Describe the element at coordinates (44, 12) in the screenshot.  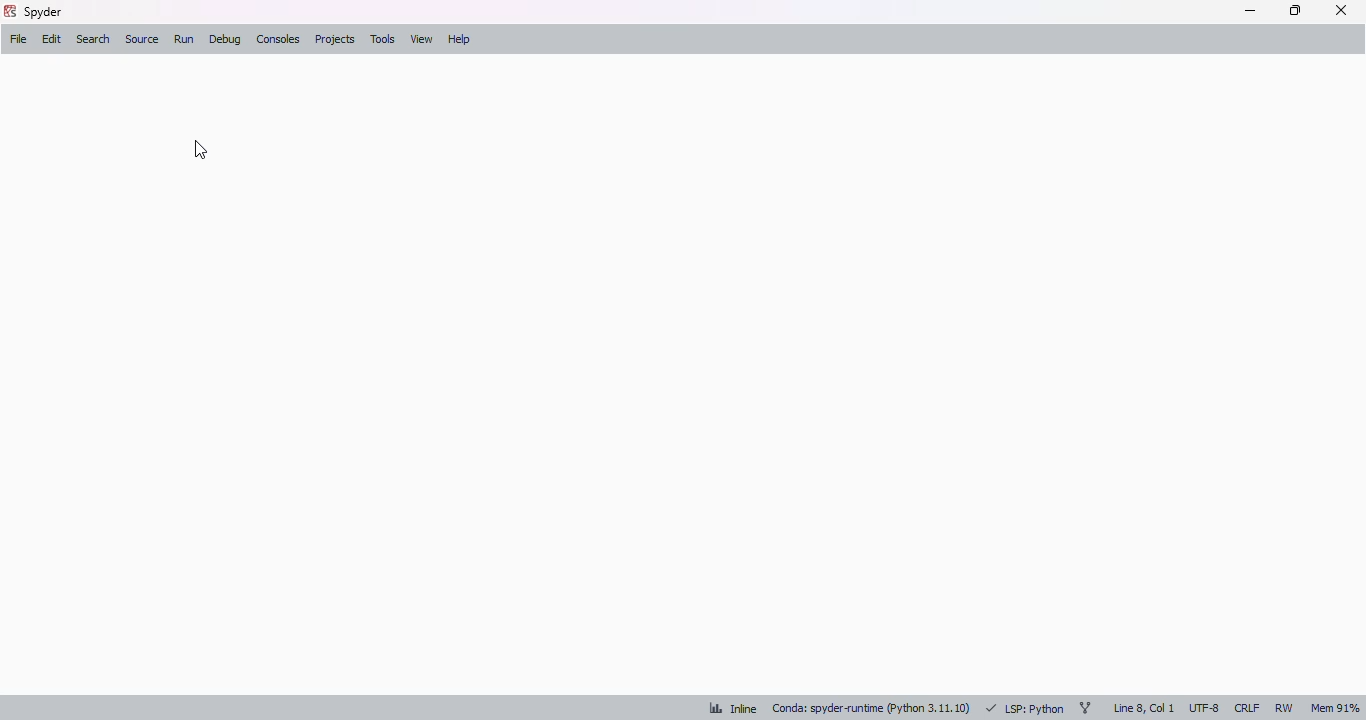
I see `spyder` at that location.